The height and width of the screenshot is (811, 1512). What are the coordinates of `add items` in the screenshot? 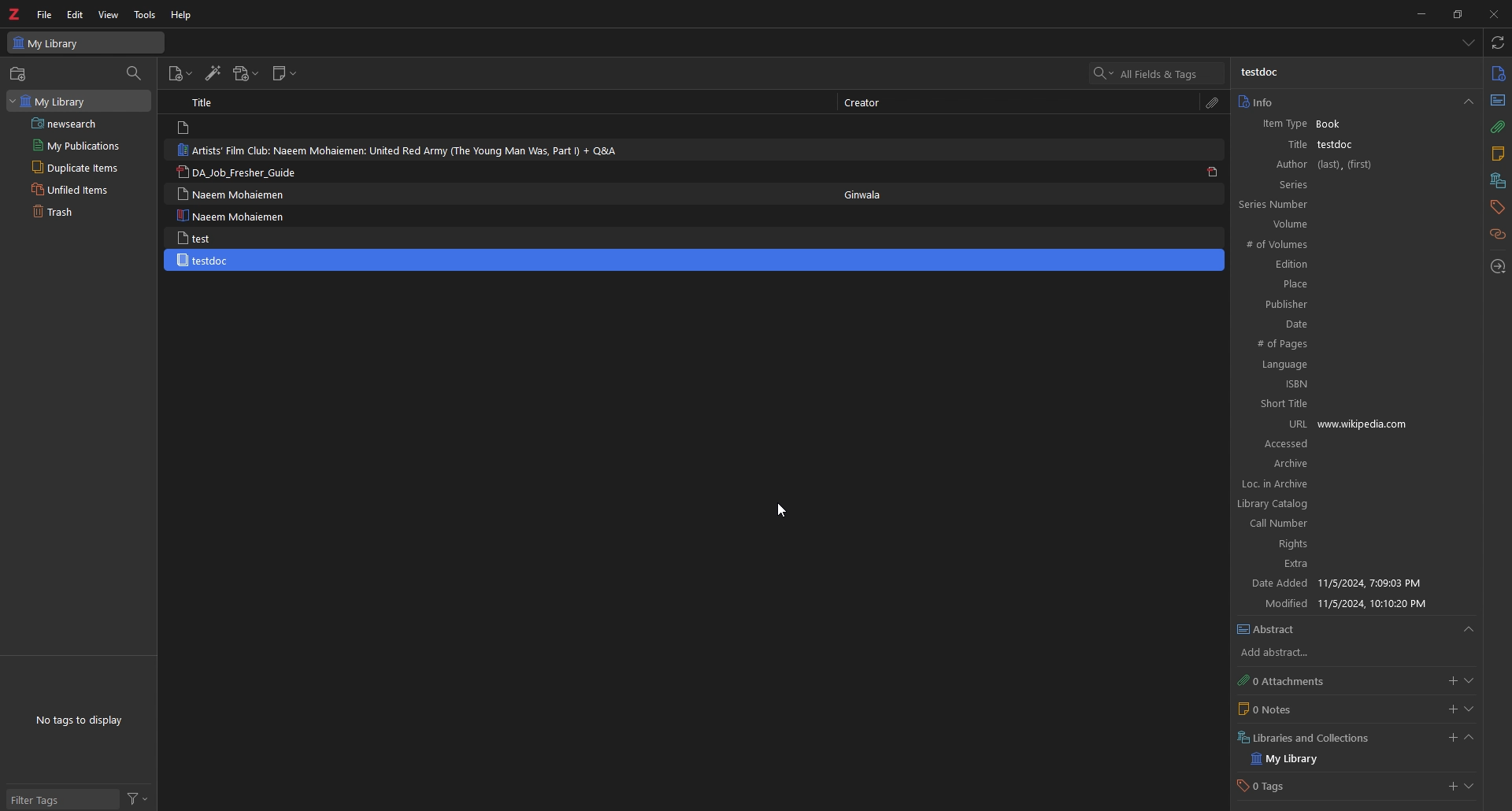 It's located at (180, 73).